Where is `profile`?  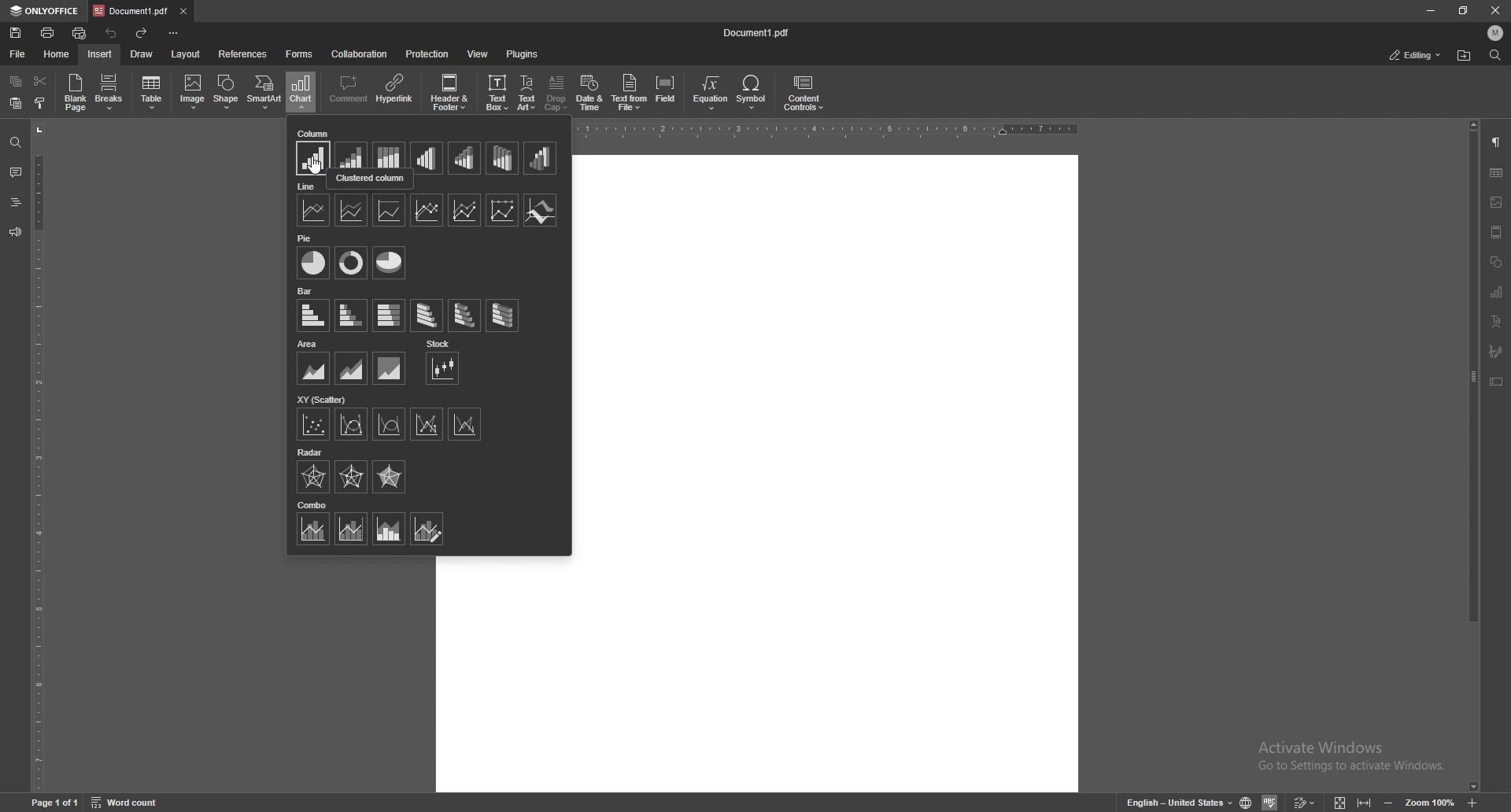 profile is located at coordinates (1496, 32).